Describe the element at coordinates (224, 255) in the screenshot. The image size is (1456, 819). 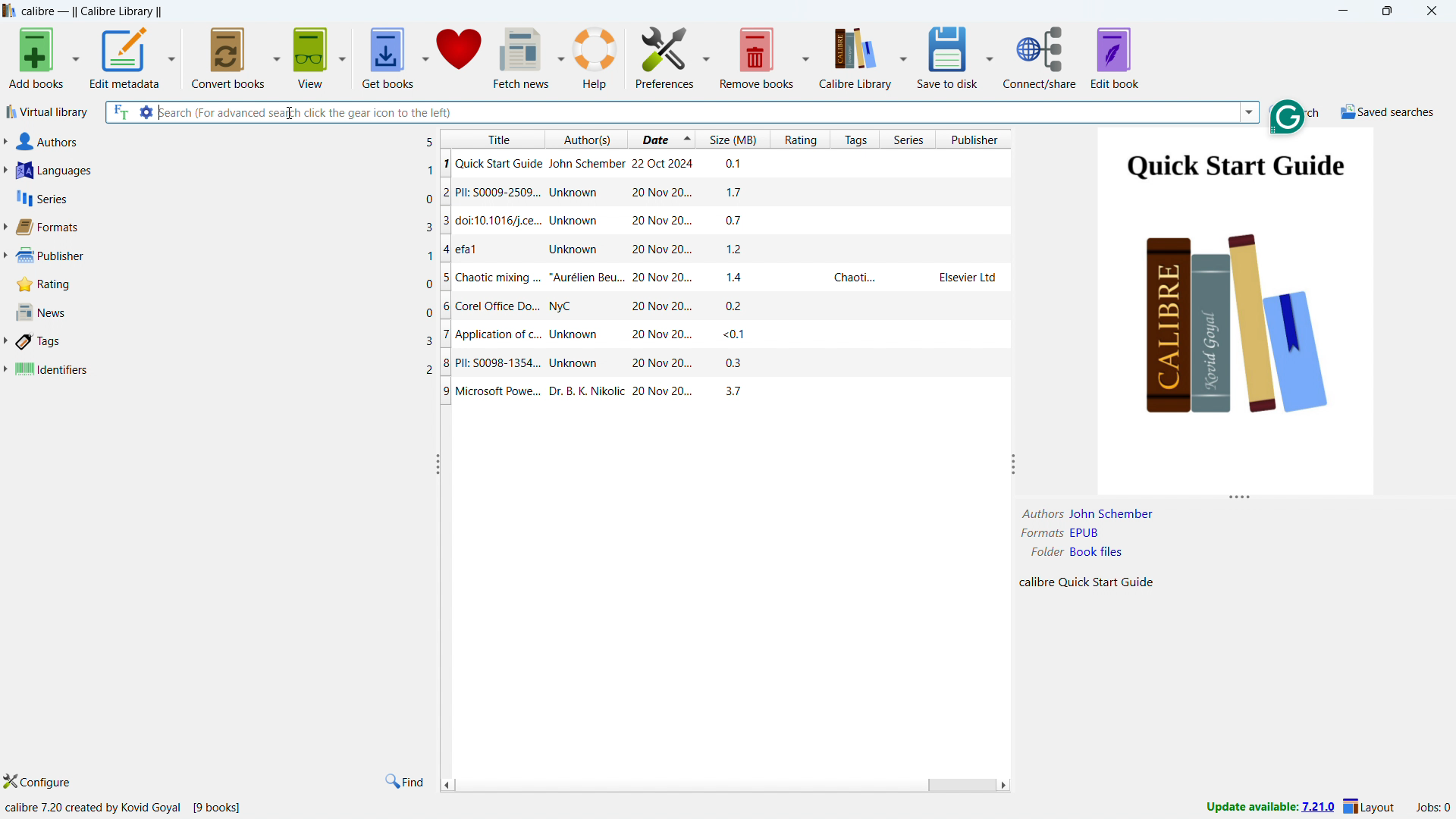
I see `publisher` at that location.